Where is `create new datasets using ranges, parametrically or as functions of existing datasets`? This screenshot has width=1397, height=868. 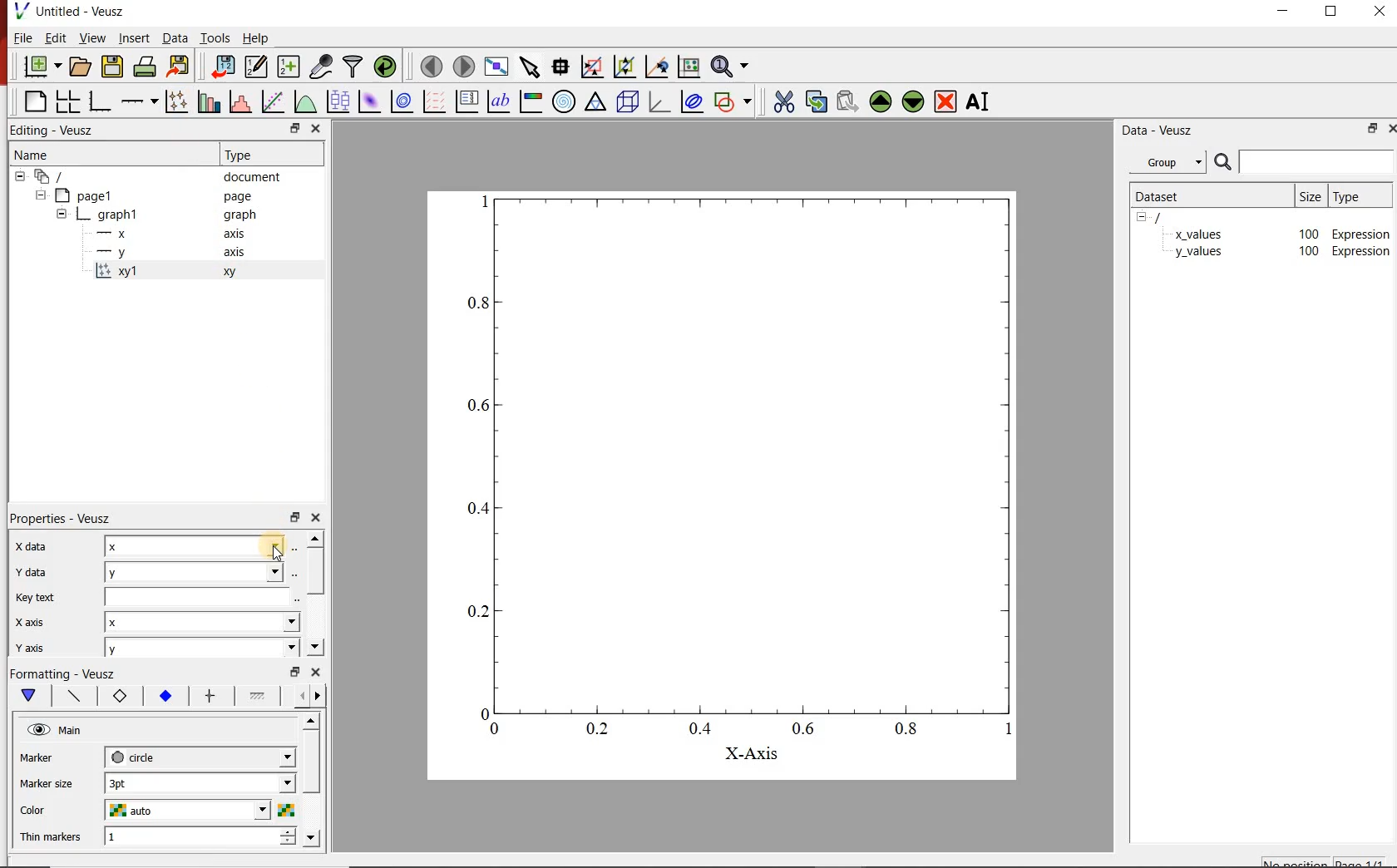 create new datasets using ranges, parametrically or as functions of existing datasets is located at coordinates (291, 67).